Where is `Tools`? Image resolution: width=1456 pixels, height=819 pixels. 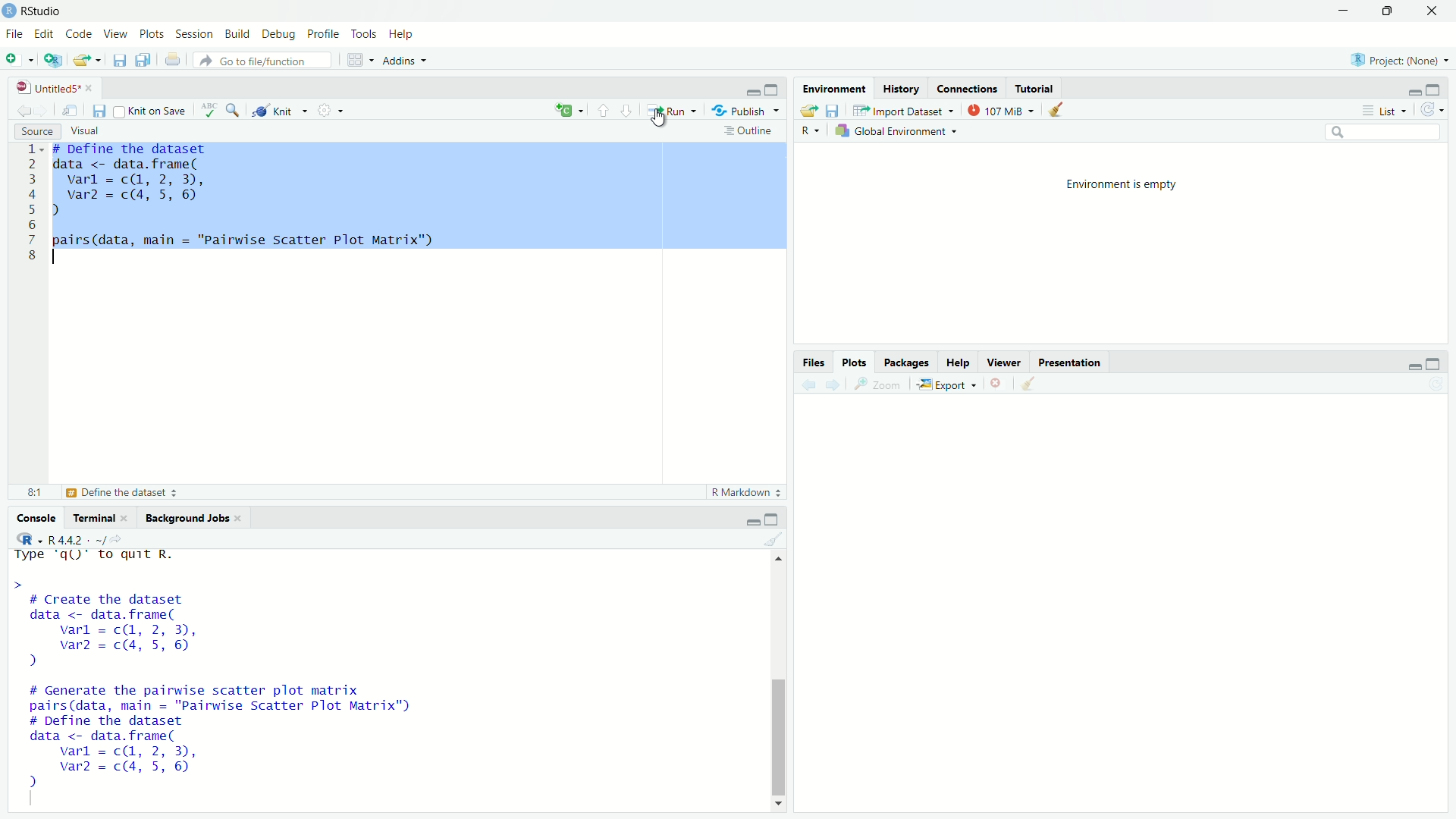 Tools is located at coordinates (366, 33).